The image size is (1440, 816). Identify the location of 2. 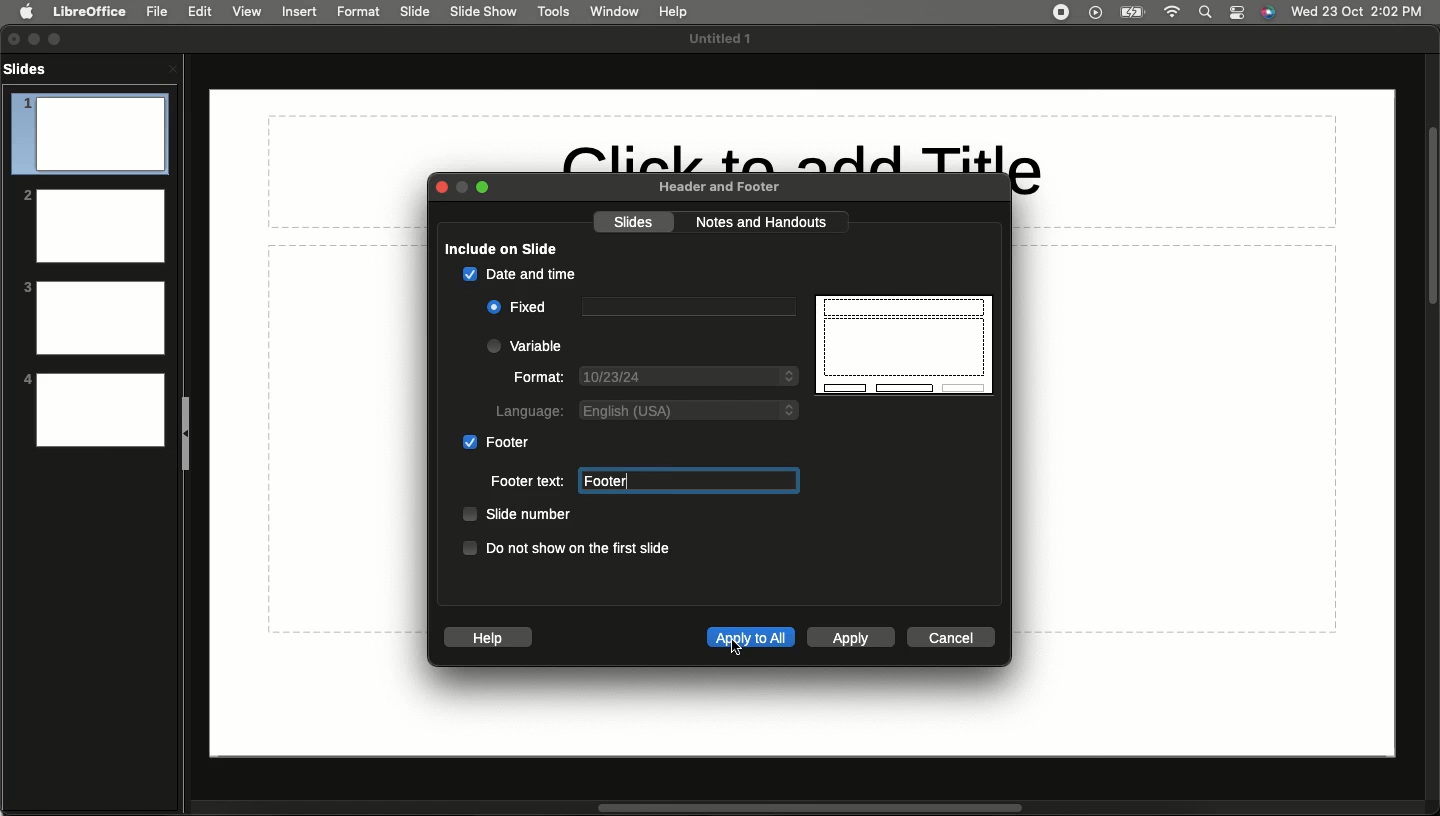
(92, 224).